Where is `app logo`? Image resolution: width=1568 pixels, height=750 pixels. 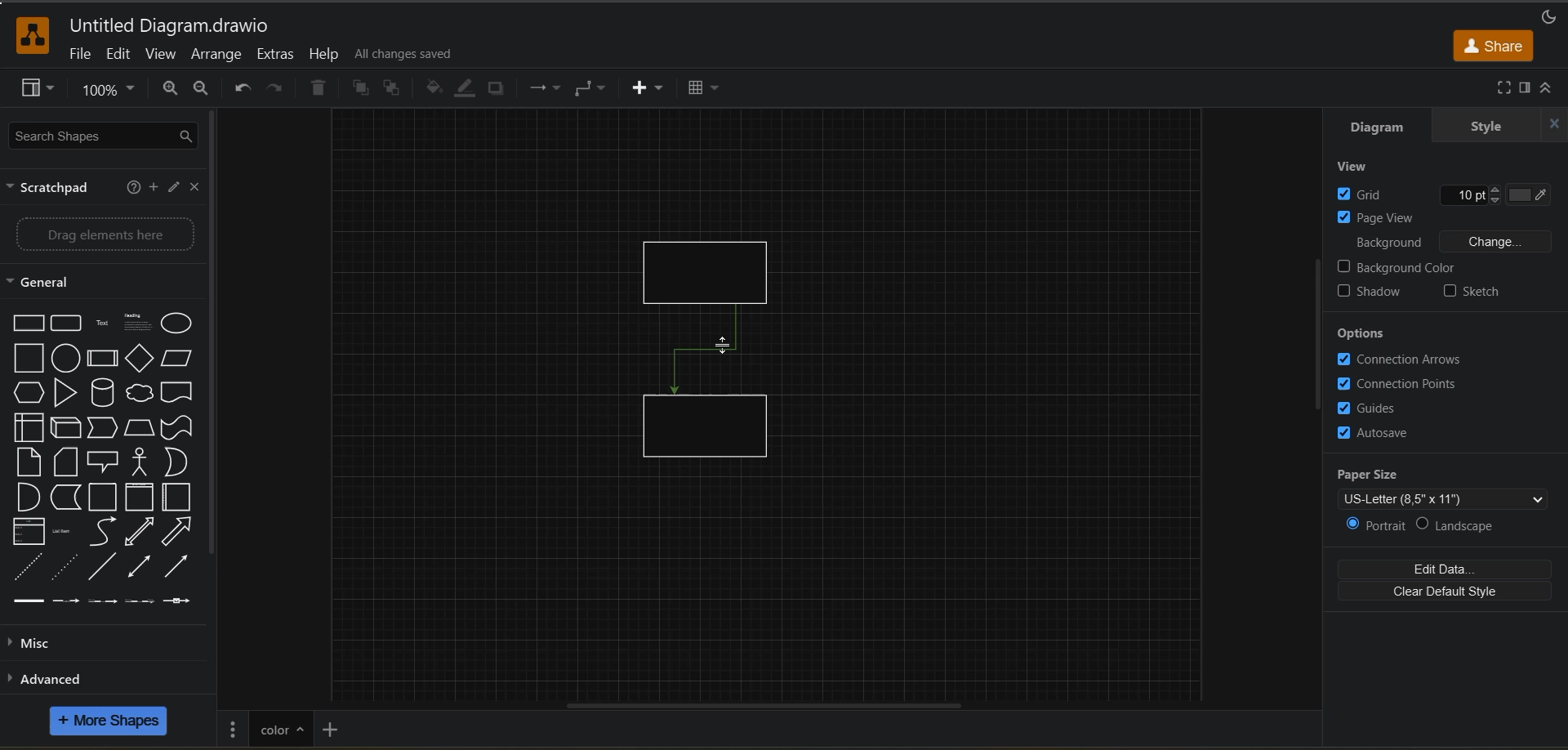
app logo is located at coordinates (24, 33).